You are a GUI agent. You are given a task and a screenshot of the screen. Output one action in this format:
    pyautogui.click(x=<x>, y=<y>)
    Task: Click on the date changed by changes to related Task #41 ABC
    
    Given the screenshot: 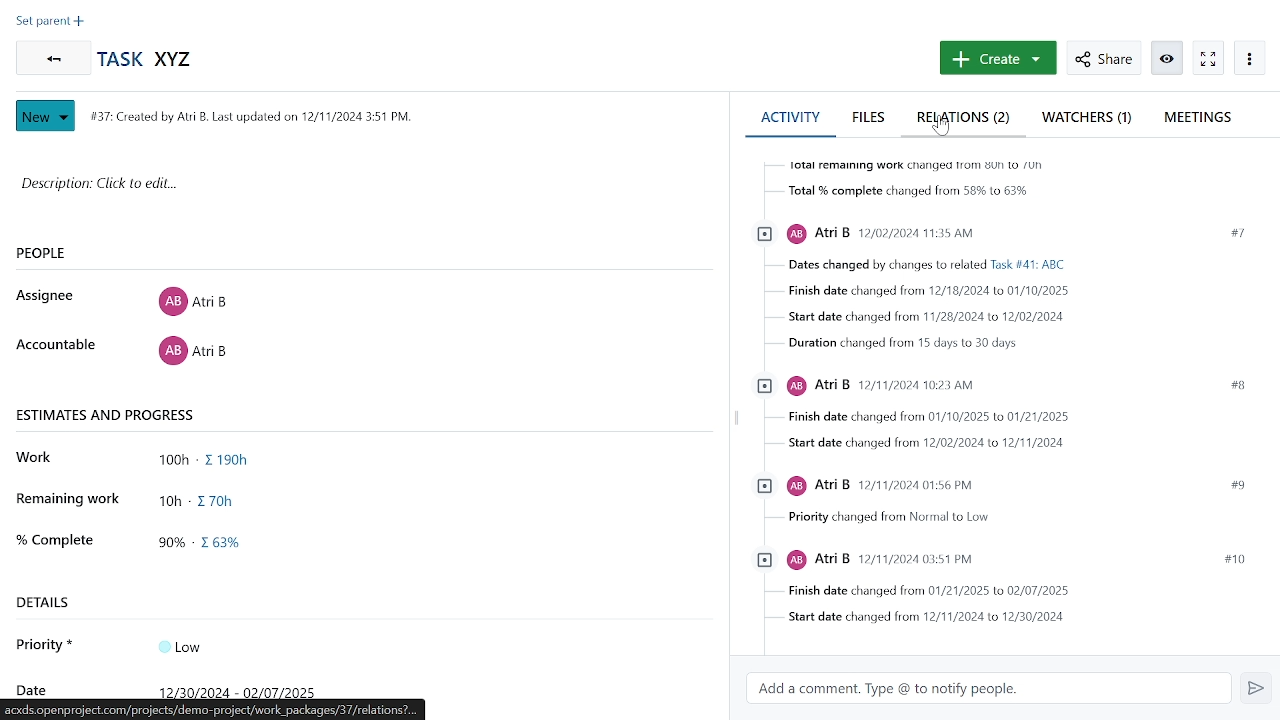 What is the action you would take?
    pyautogui.click(x=918, y=266)
    